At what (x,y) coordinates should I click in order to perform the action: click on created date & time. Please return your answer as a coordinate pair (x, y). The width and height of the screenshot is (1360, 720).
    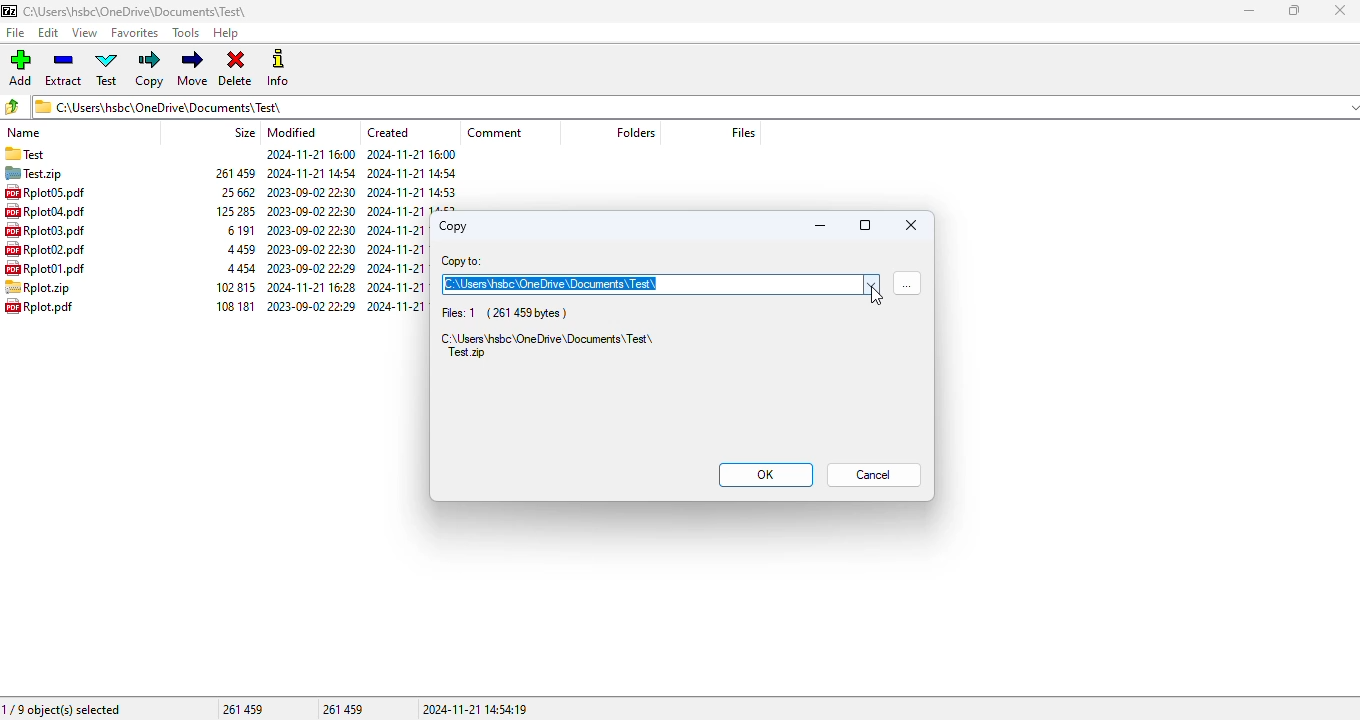
    Looking at the image, I should click on (412, 173).